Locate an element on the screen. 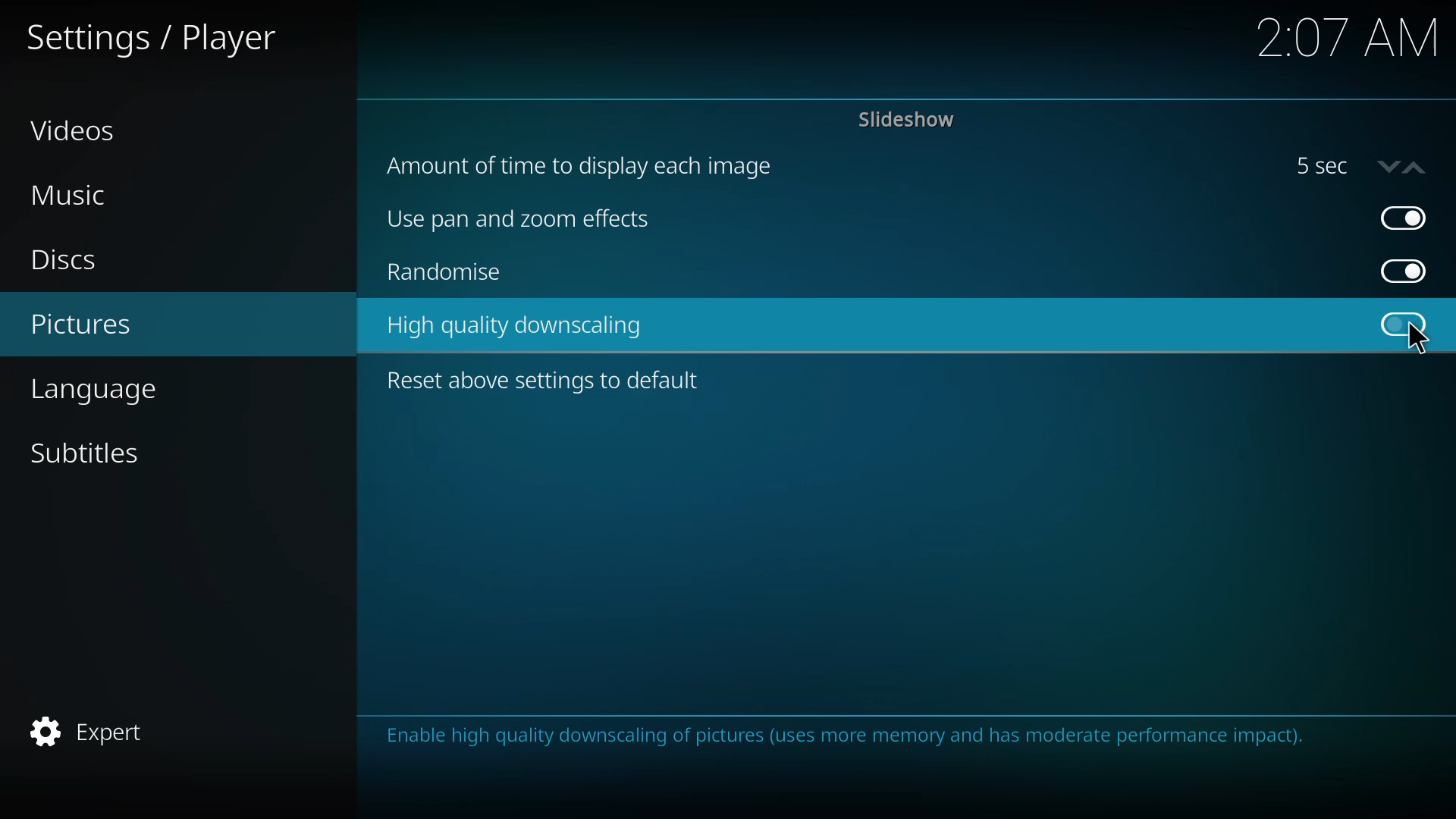 The height and width of the screenshot is (819, 1456). settings player is located at coordinates (155, 37).